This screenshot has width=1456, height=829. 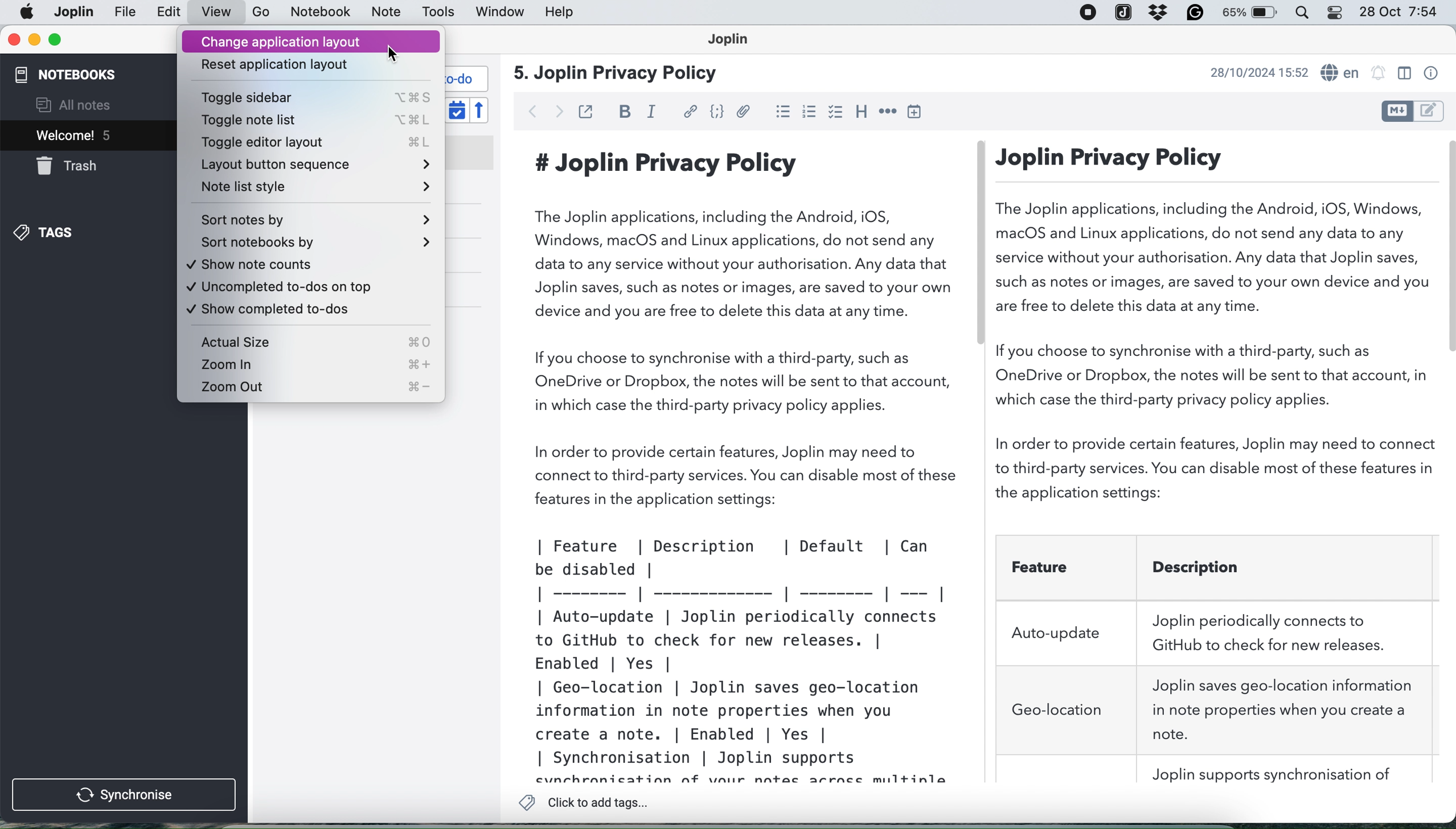 What do you see at coordinates (1430, 73) in the screenshot?
I see `note properties` at bounding box center [1430, 73].